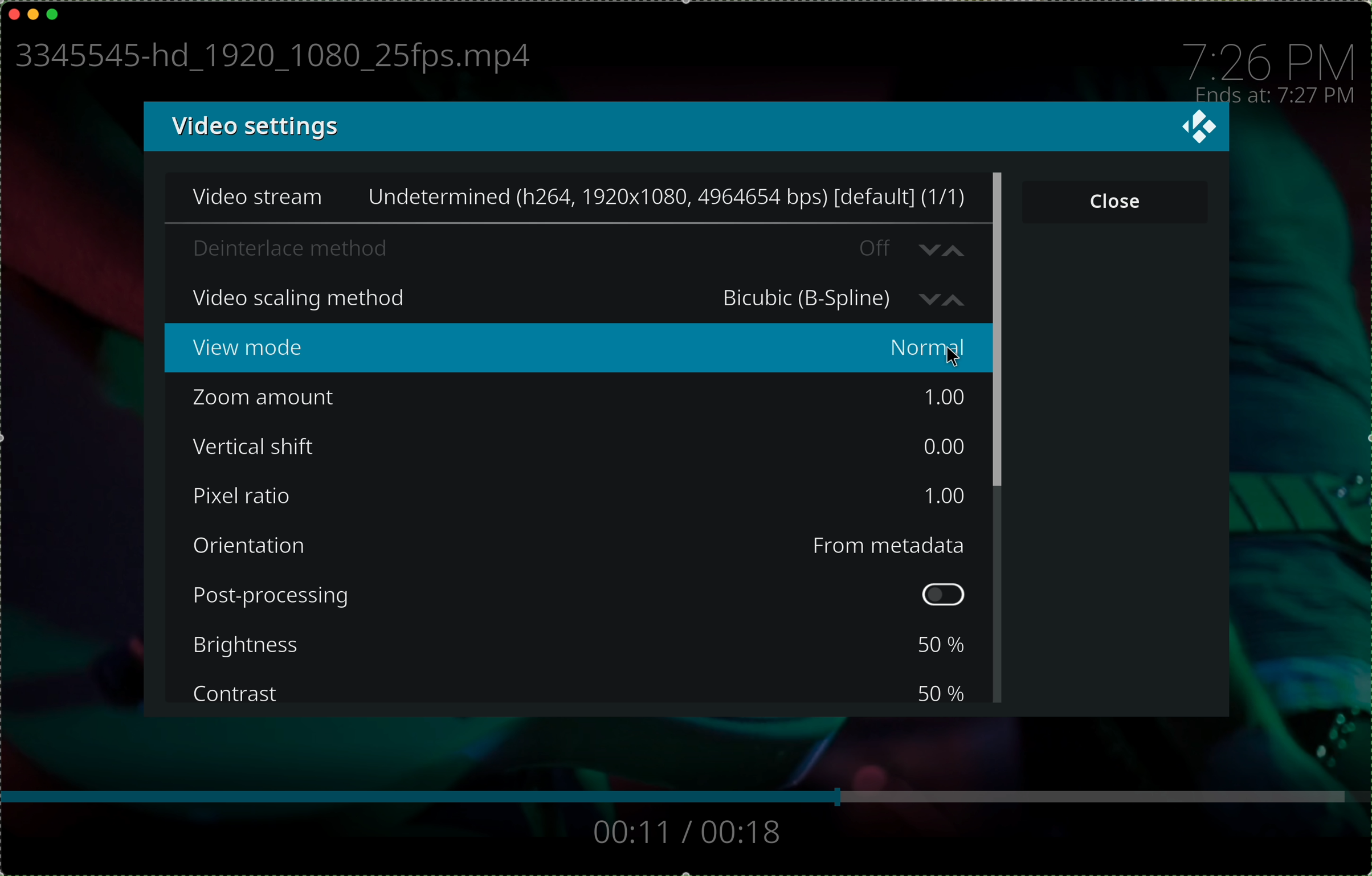 This screenshot has width=1372, height=876. What do you see at coordinates (941, 397) in the screenshot?
I see `1.00` at bounding box center [941, 397].